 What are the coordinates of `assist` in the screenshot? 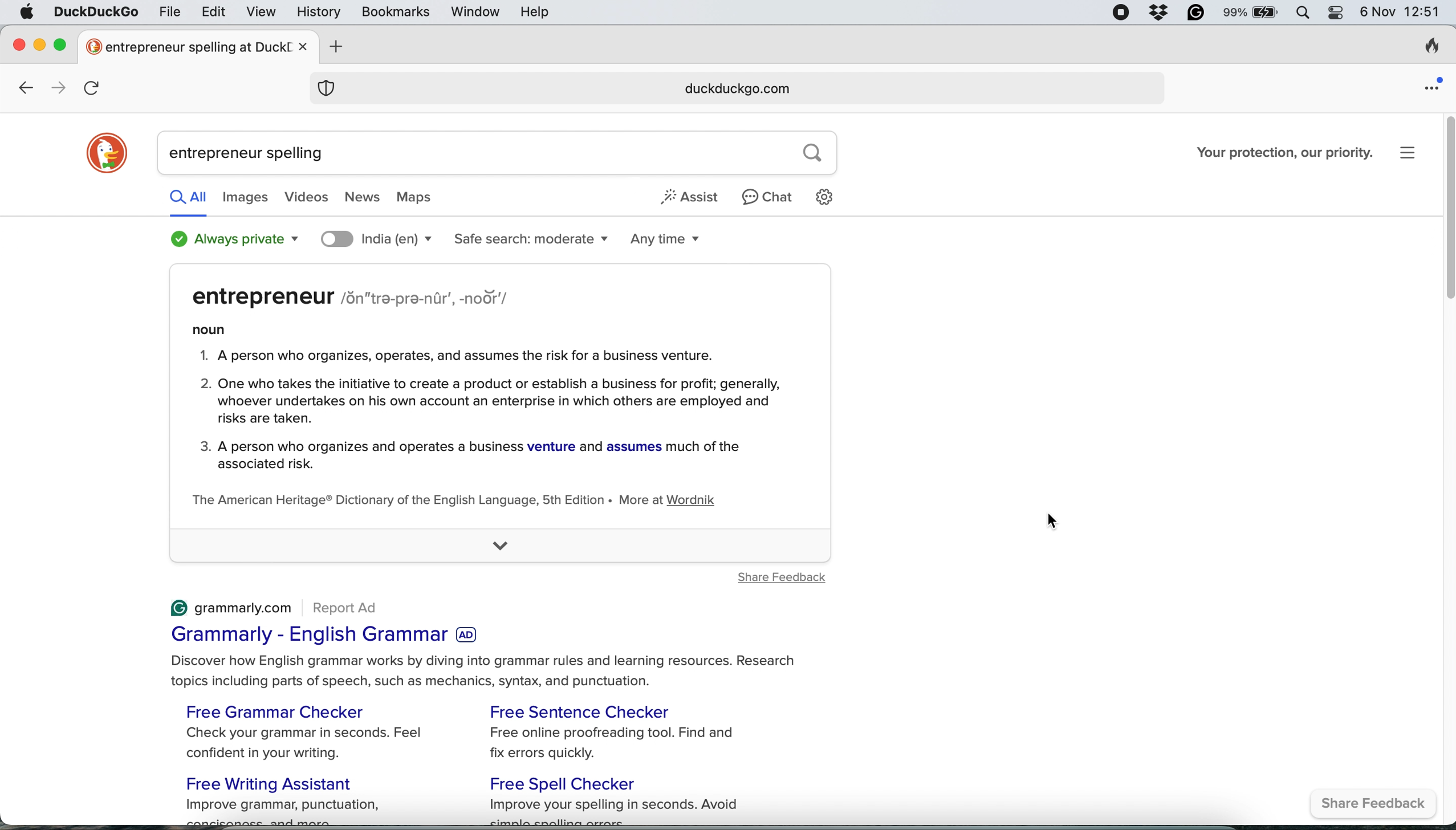 It's located at (681, 198).